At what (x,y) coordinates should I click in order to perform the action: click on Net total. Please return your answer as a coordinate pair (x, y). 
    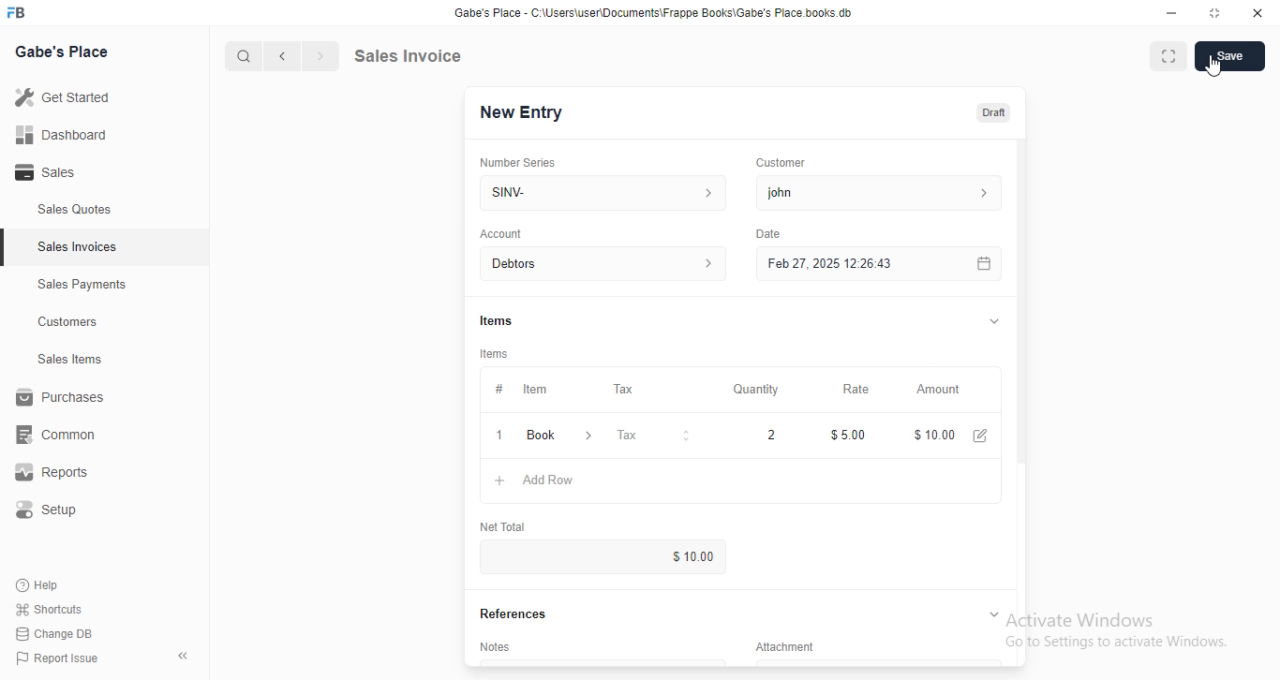
    Looking at the image, I should click on (501, 528).